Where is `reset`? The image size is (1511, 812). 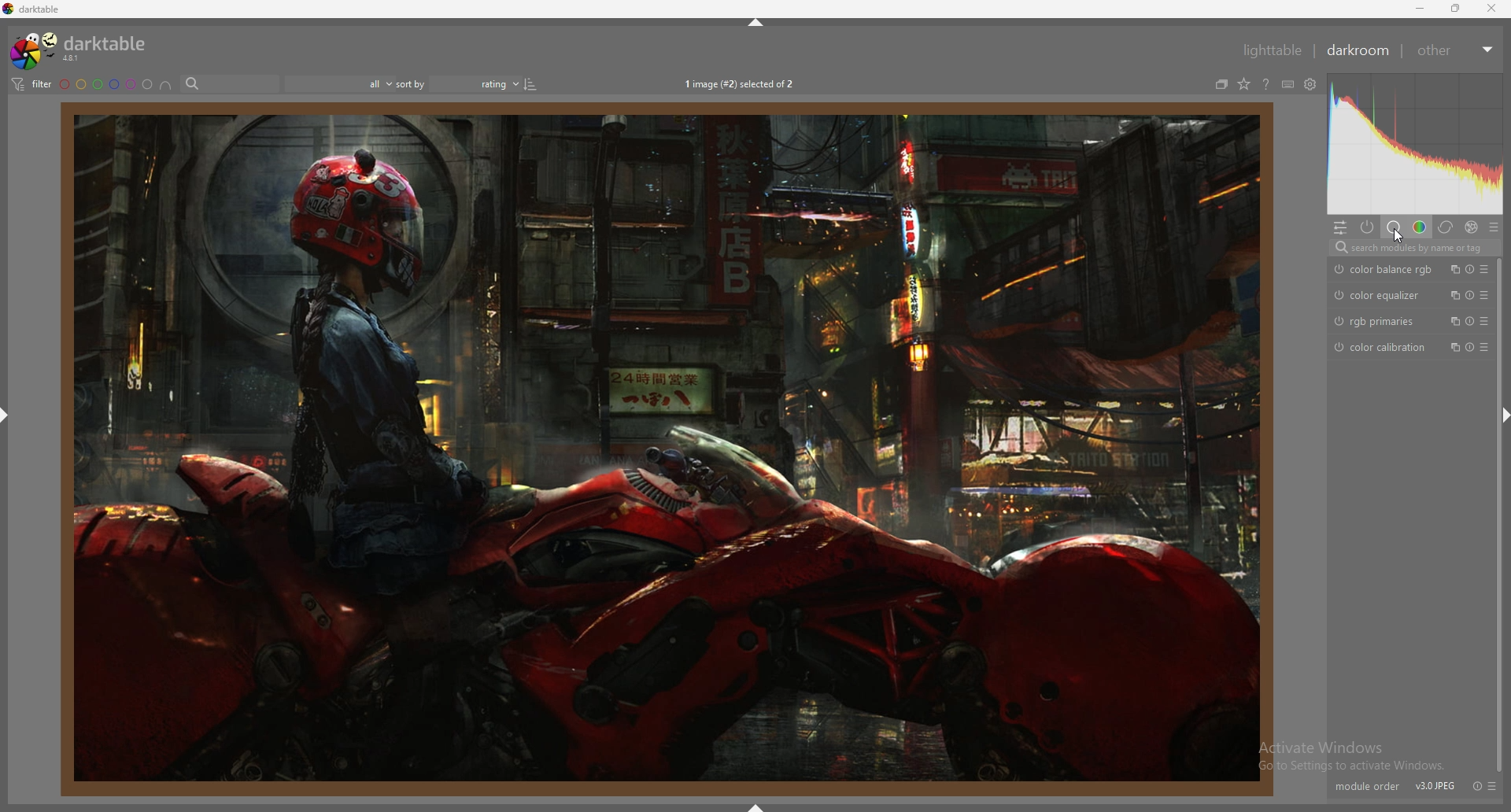
reset is located at coordinates (1475, 787).